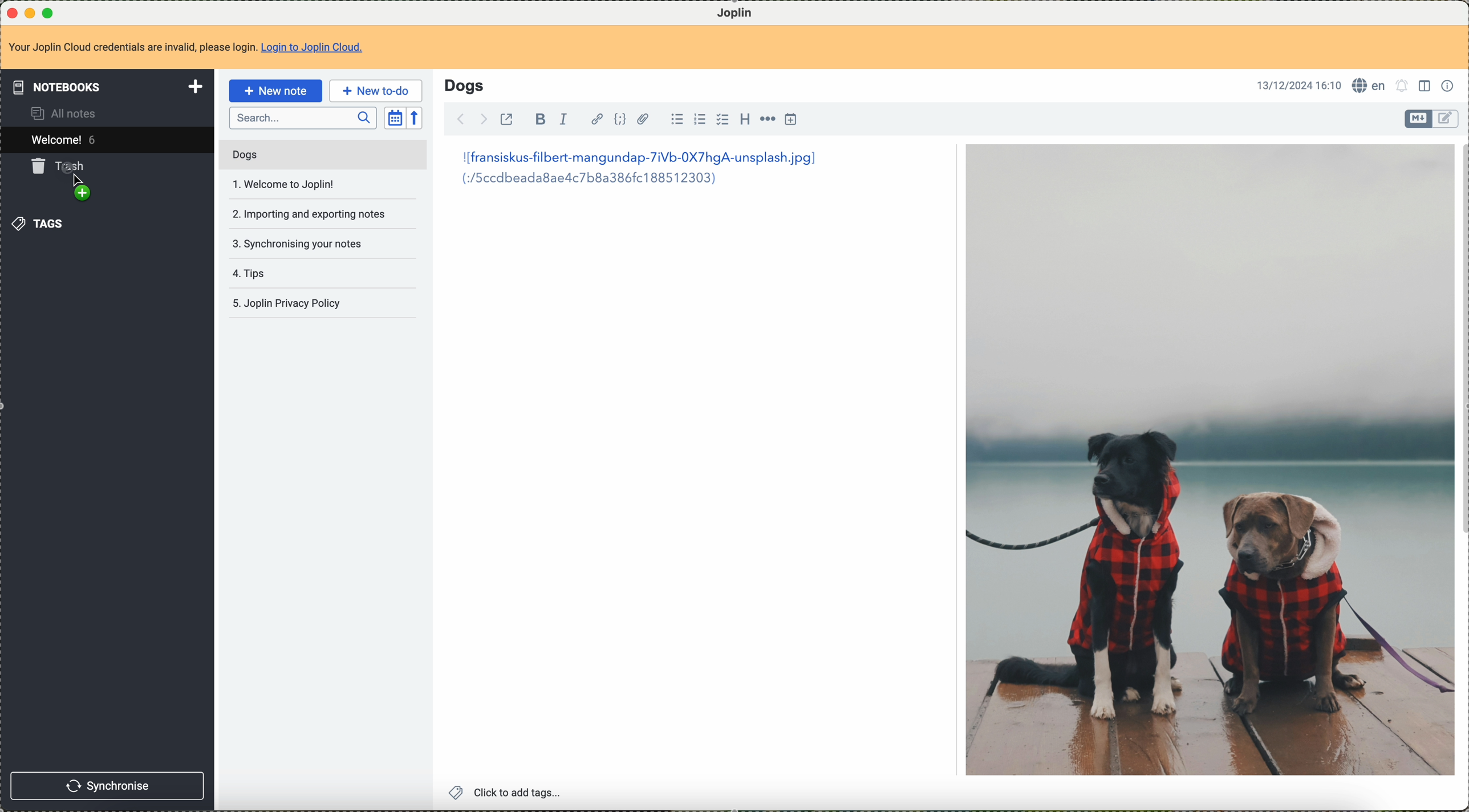 This screenshot has width=1469, height=812. What do you see at coordinates (394, 117) in the screenshot?
I see `toggle sort order field` at bounding box center [394, 117].